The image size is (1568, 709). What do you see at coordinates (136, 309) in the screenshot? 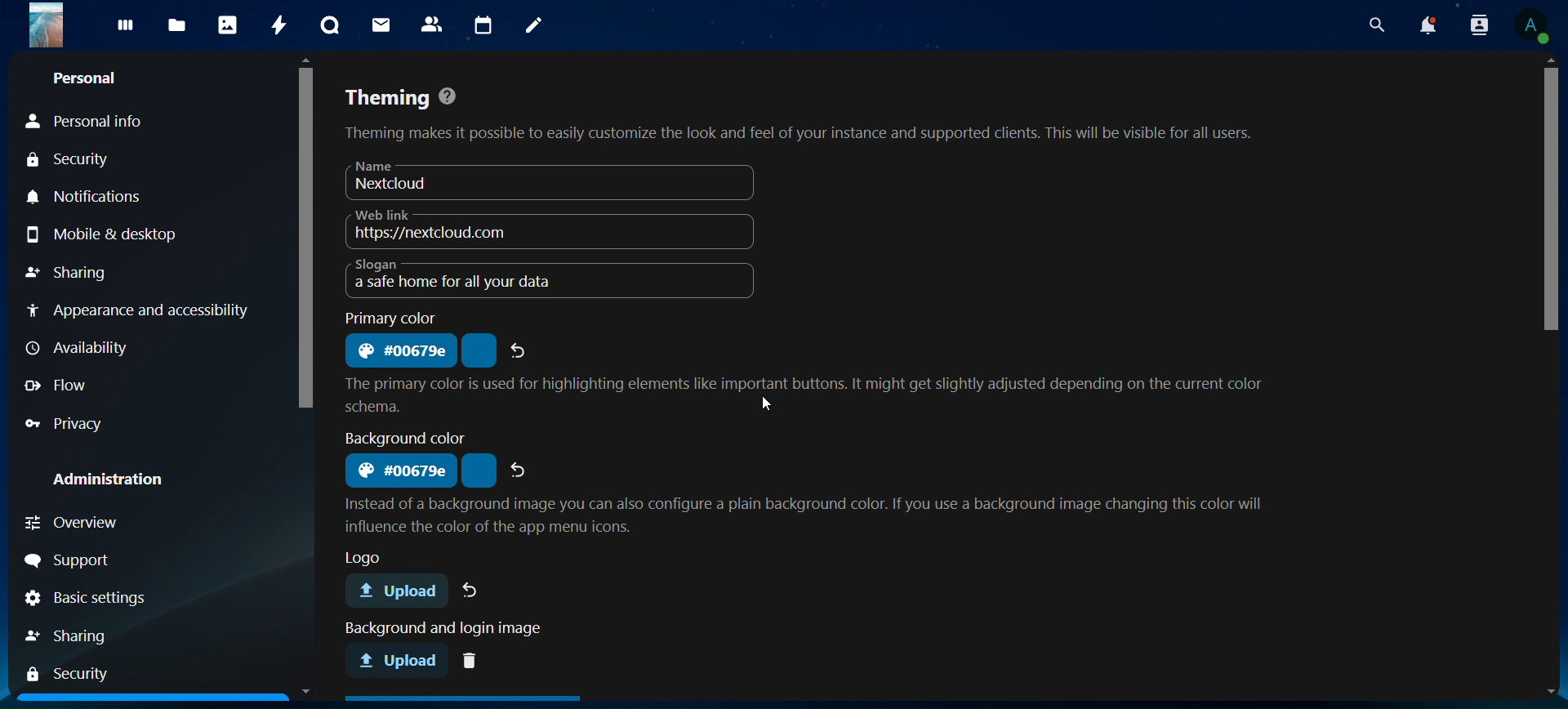
I see `appearance and accessibility` at bounding box center [136, 309].